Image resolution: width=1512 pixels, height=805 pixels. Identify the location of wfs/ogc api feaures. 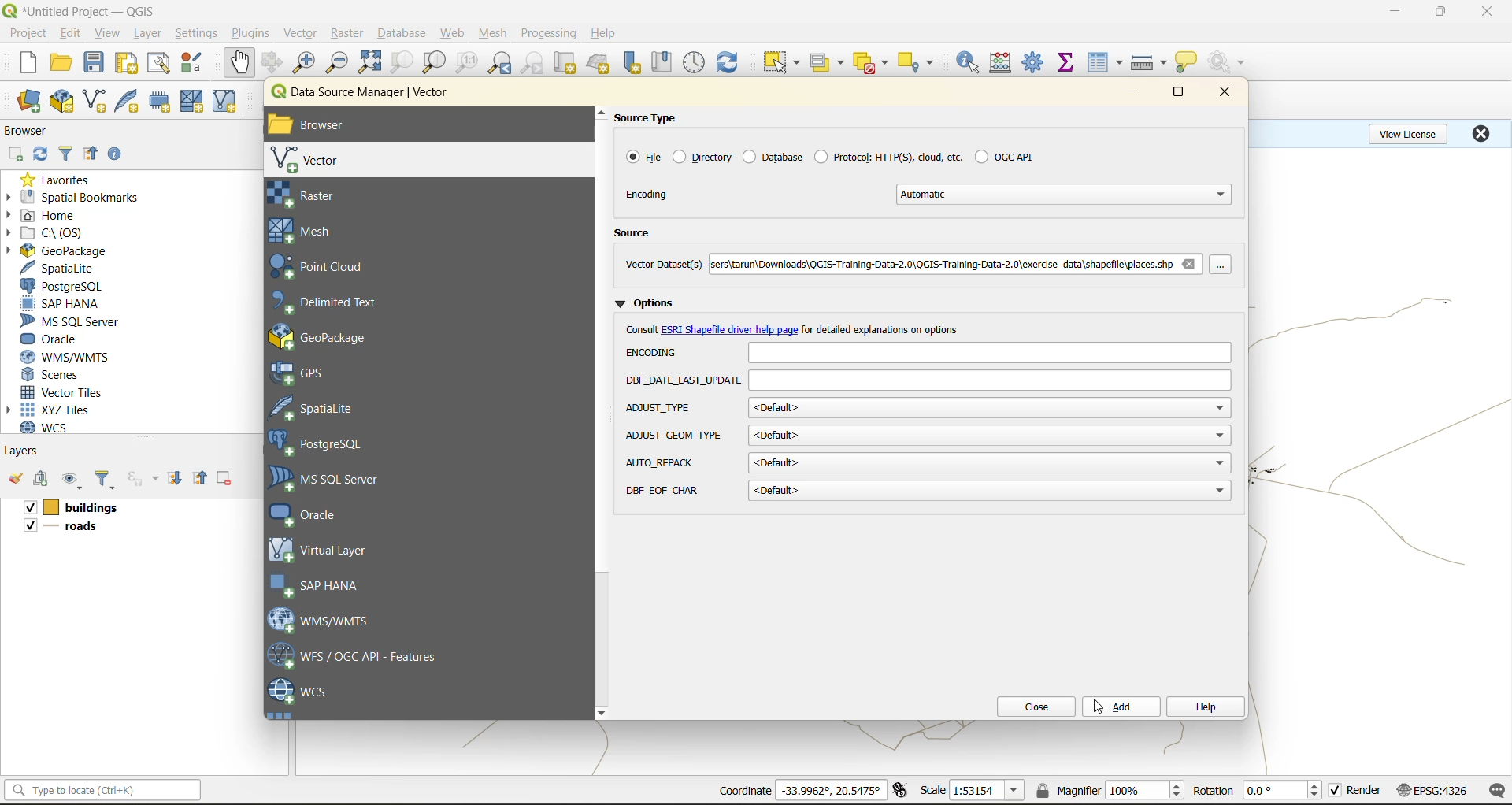
(361, 655).